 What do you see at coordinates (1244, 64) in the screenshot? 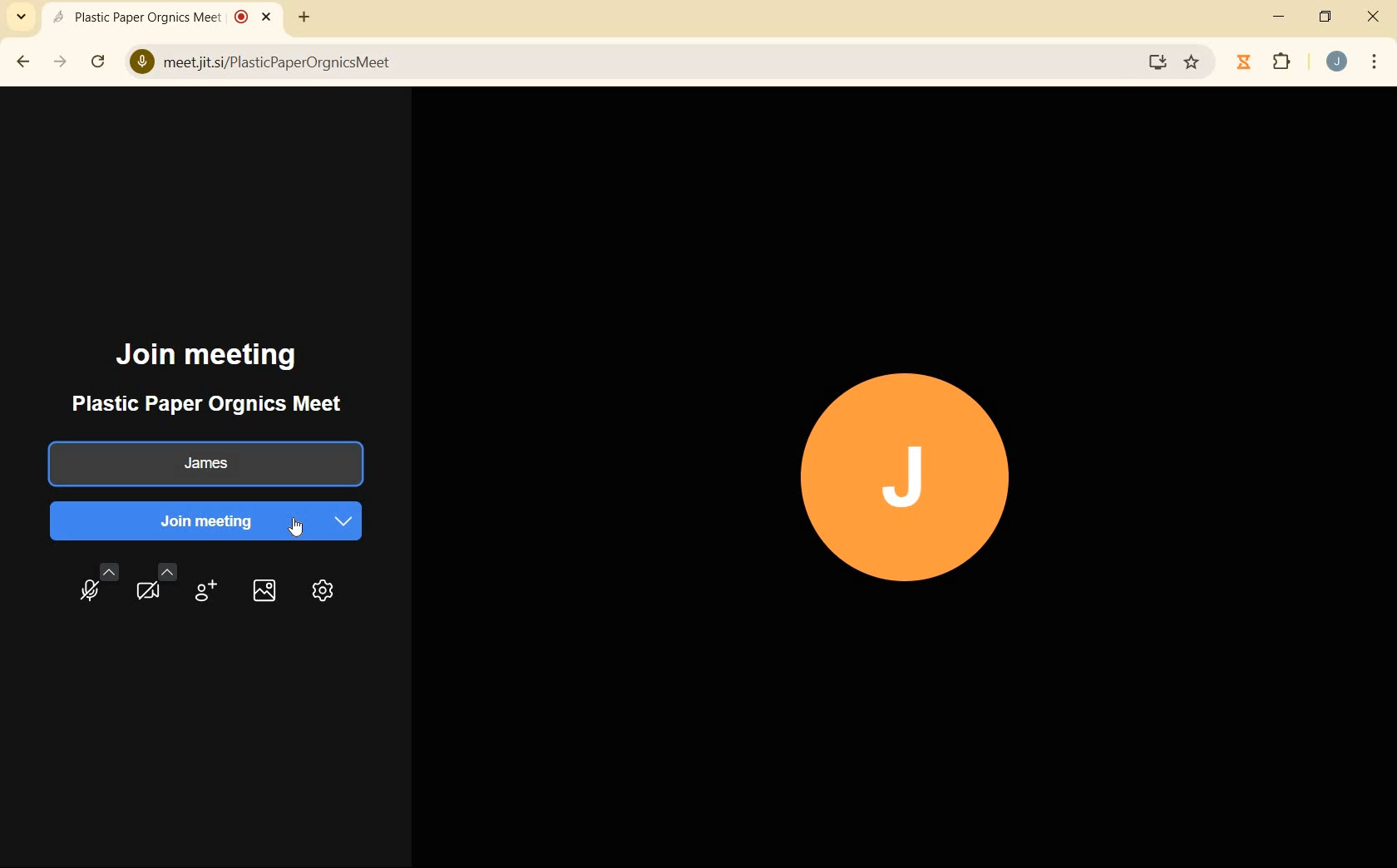
I see `Jibble` at bounding box center [1244, 64].